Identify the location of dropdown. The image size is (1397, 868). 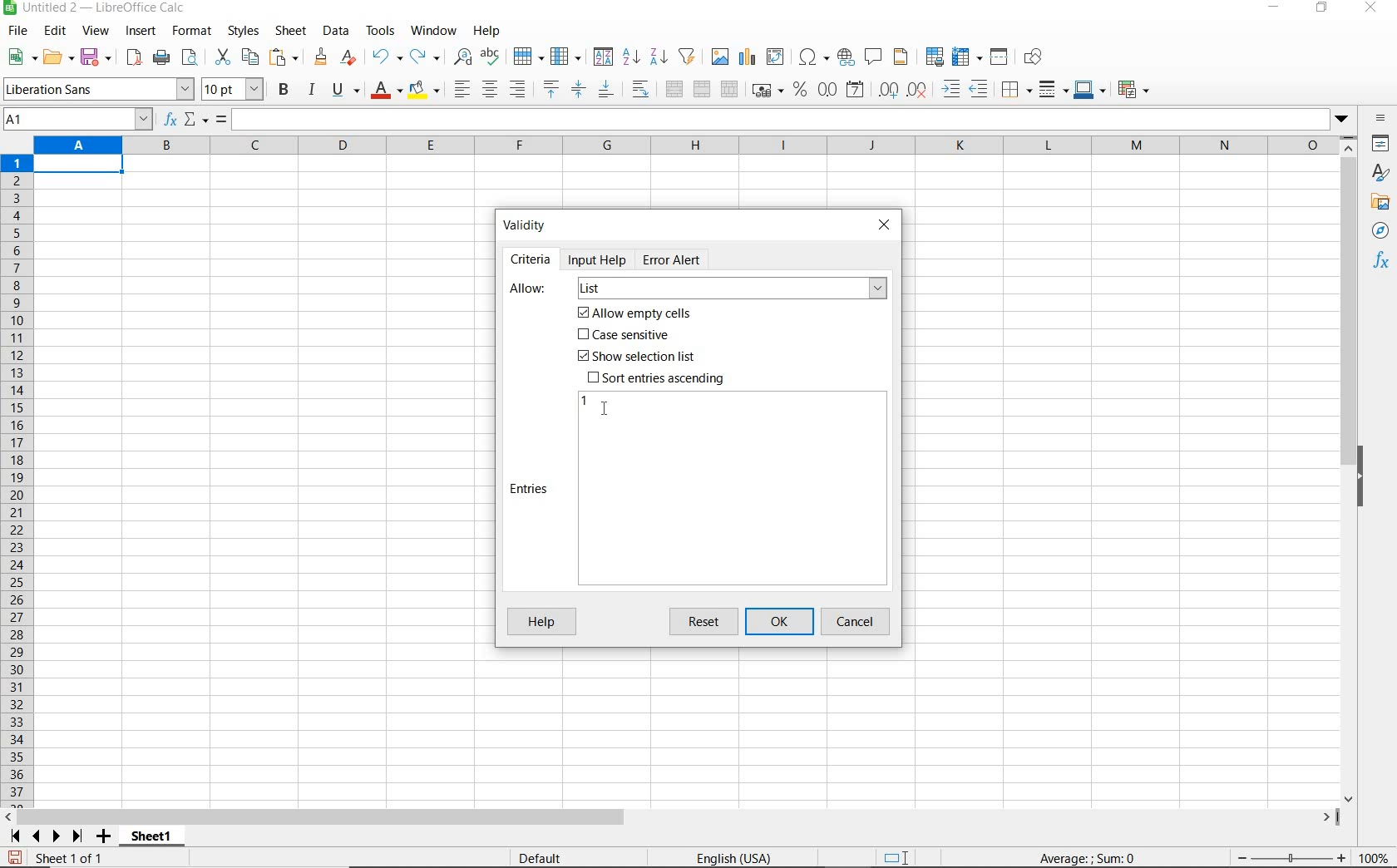
(1343, 121).